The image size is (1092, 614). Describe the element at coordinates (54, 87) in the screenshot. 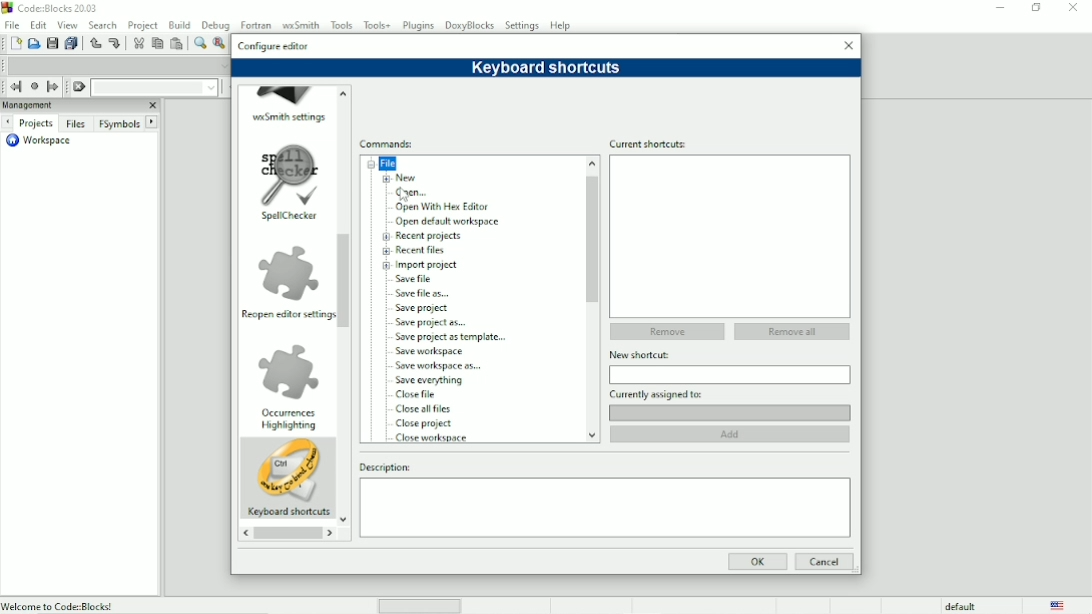

I see `Jump forward` at that location.